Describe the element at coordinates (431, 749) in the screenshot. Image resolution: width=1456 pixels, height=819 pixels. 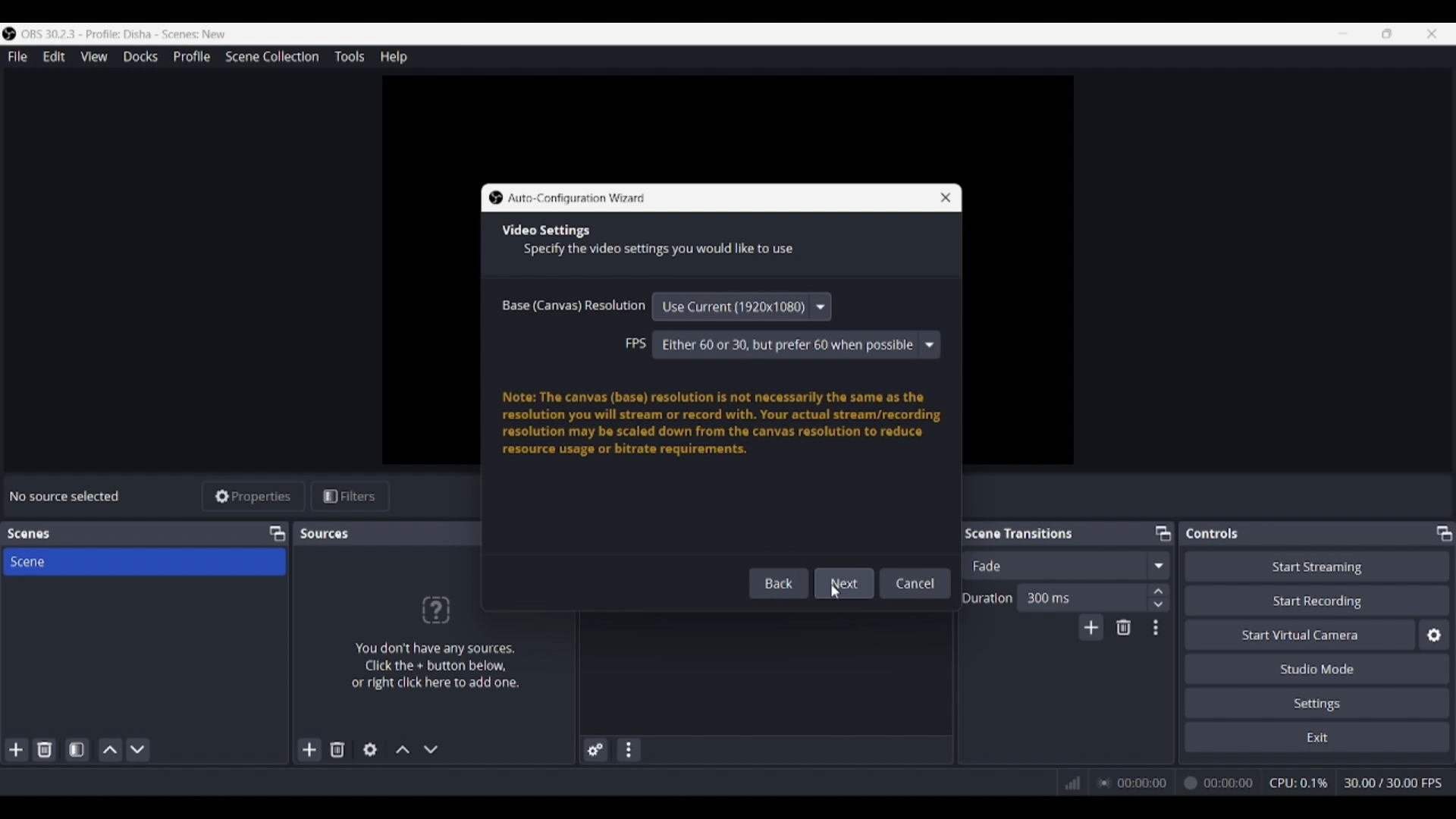
I see `Move source down` at that location.